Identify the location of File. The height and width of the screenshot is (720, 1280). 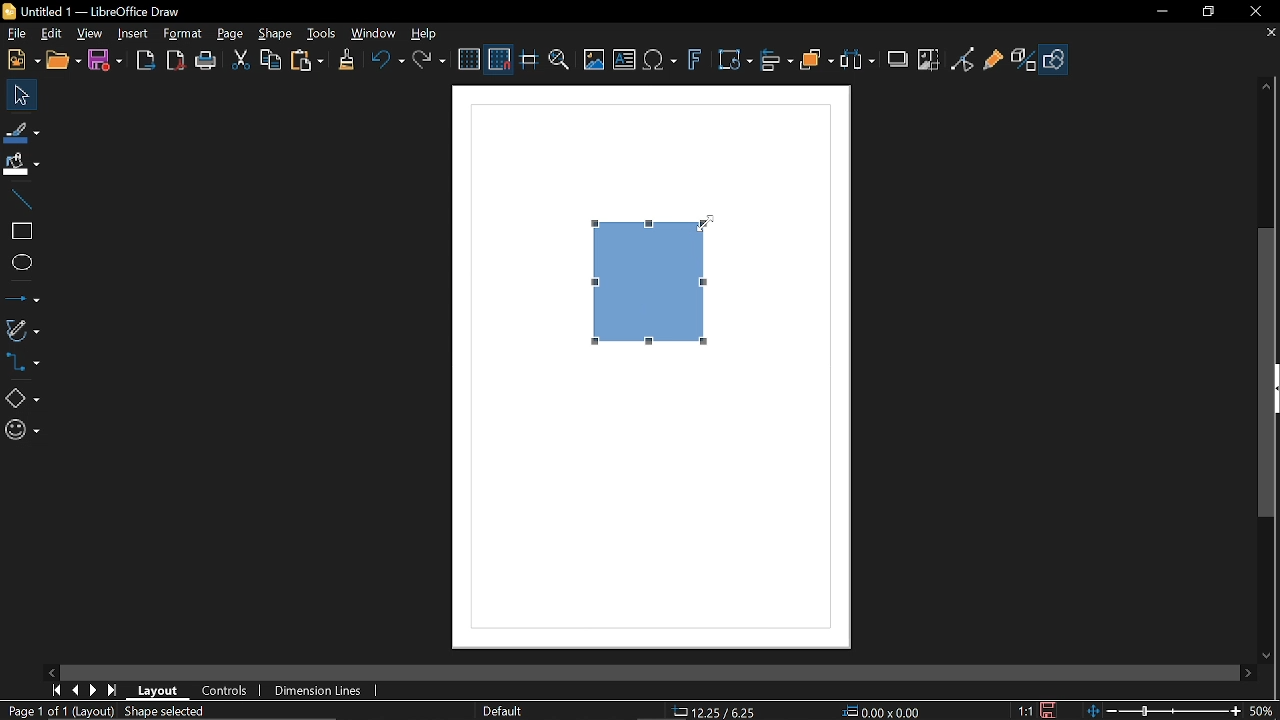
(15, 33).